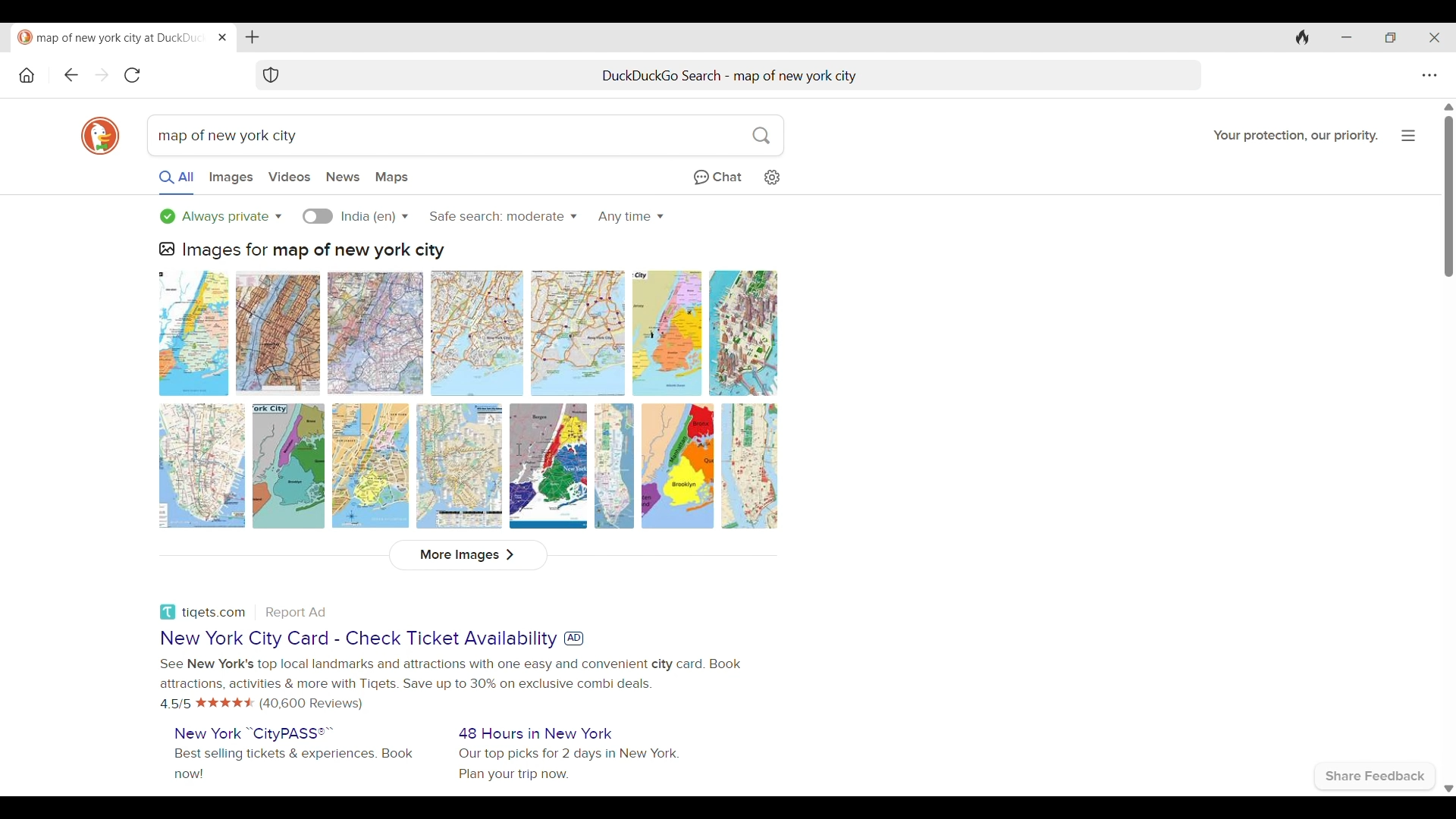 The height and width of the screenshot is (819, 1456). I want to click on Change search settings, so click(771, 177).